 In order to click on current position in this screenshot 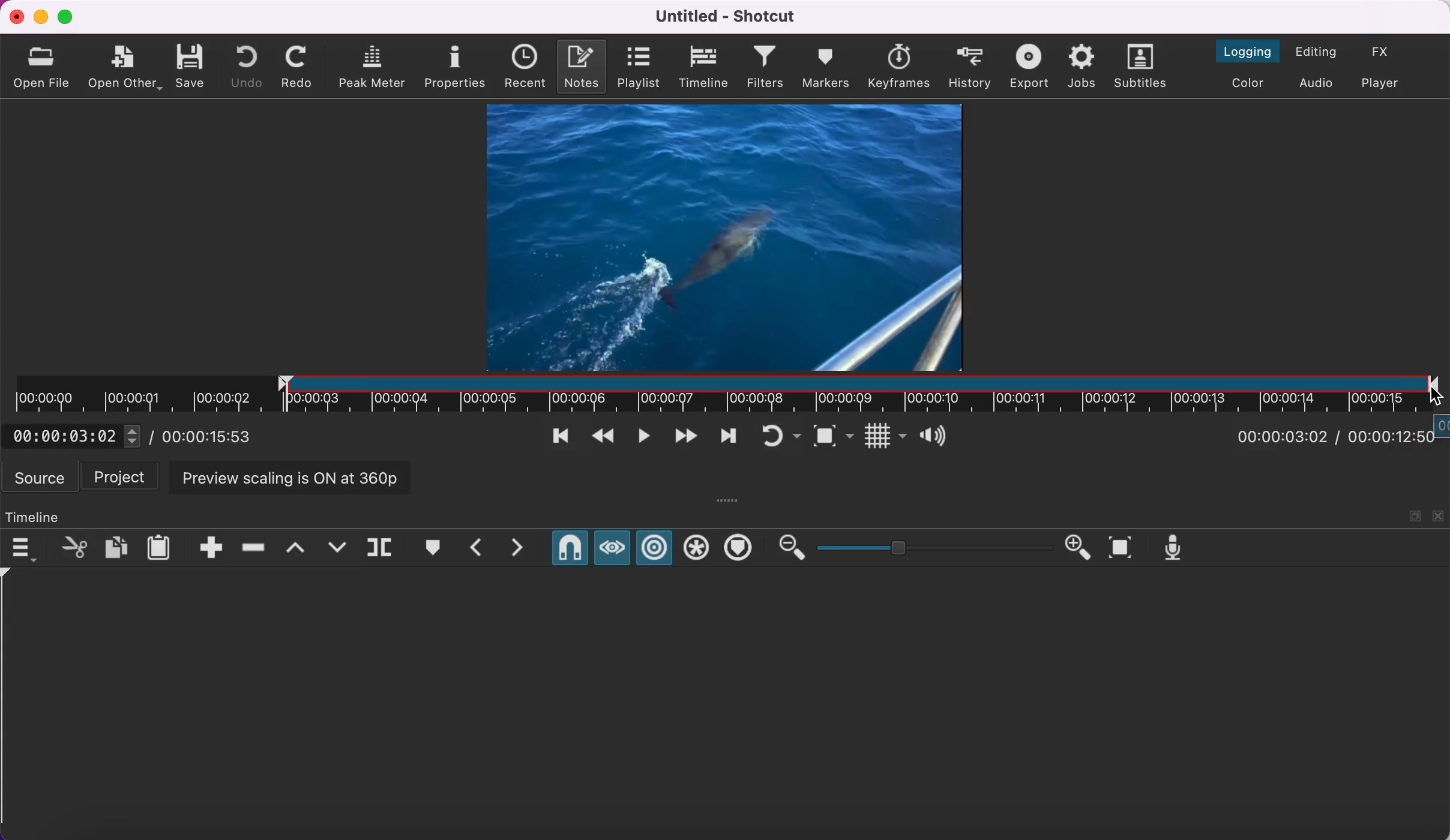, I will do `click(1287, 436)`.